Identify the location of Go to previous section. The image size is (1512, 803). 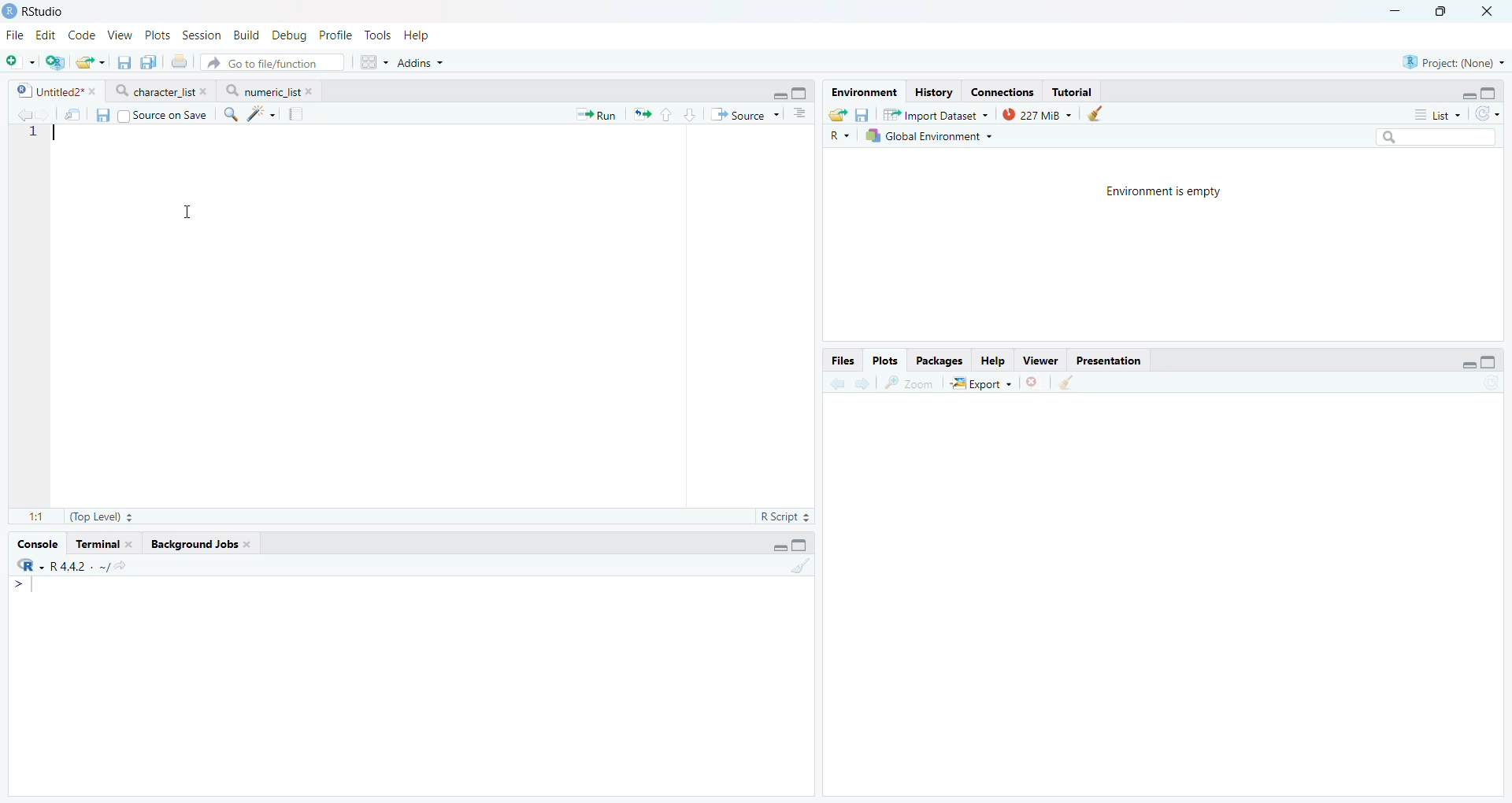
(667, 114).